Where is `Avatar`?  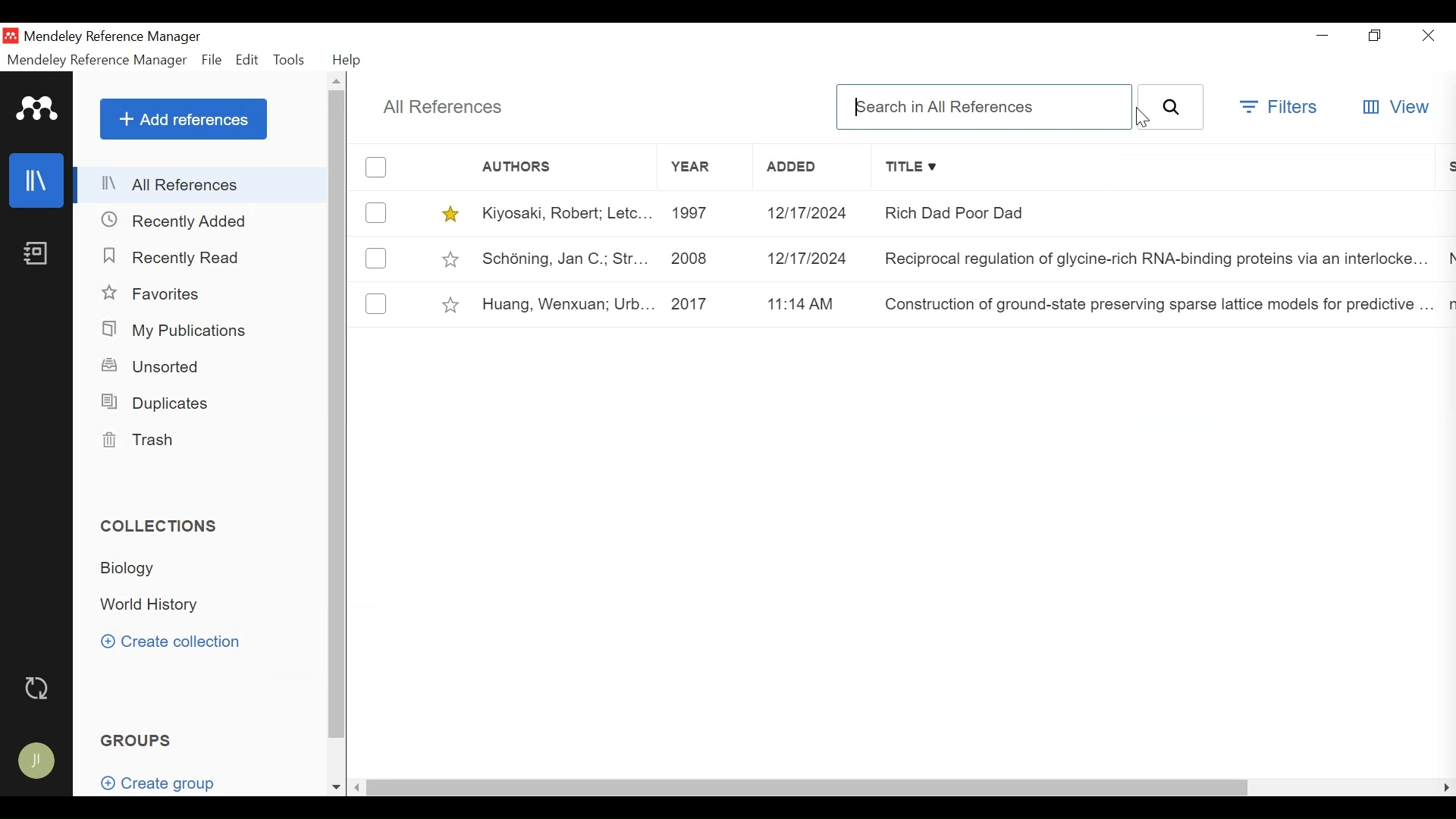
Avatar is located at coordinates (40, 762).